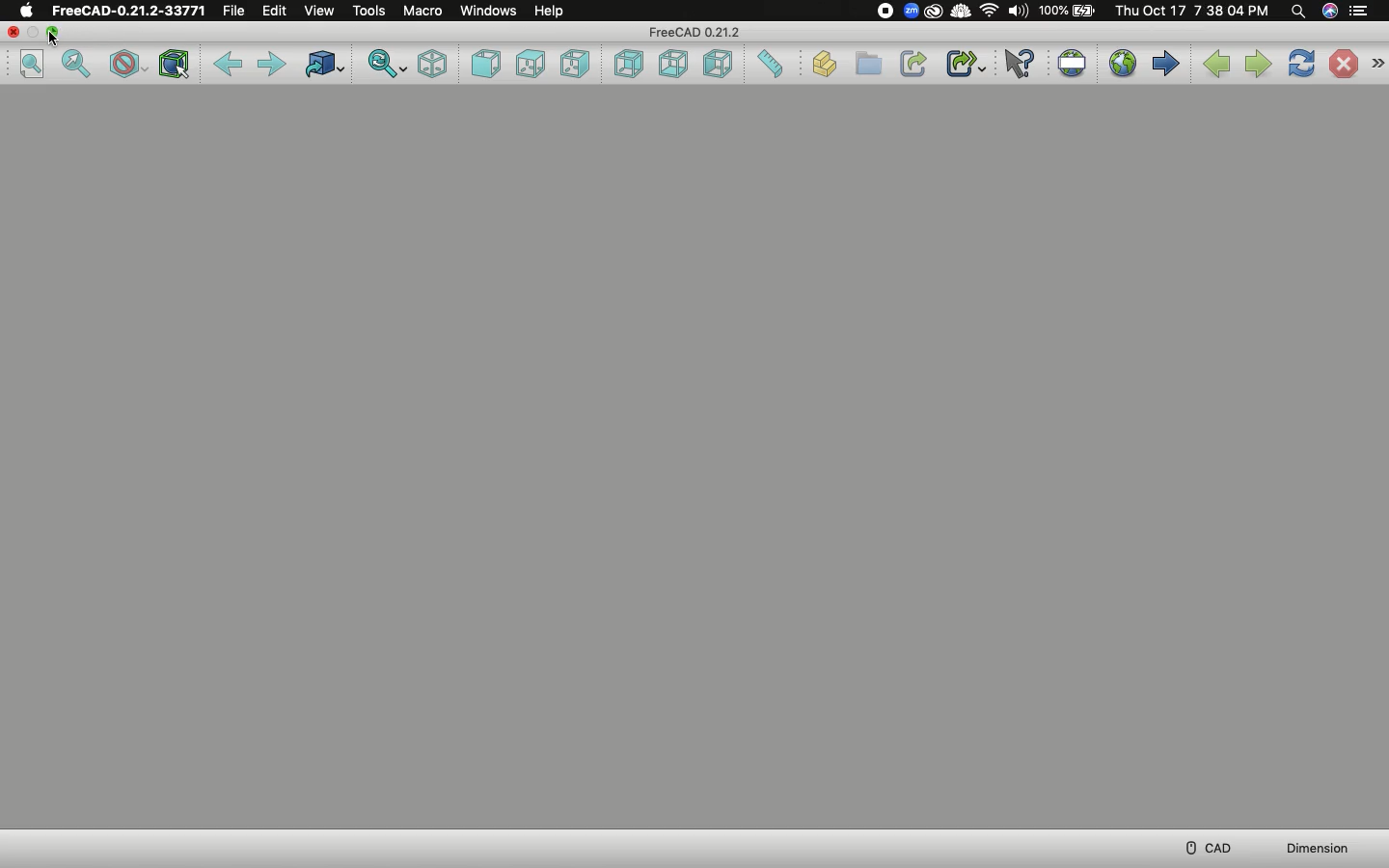  What do you see at coordinates (422, 11) in the screenshot?
I see `Macro` at bounding box center [422, 11].